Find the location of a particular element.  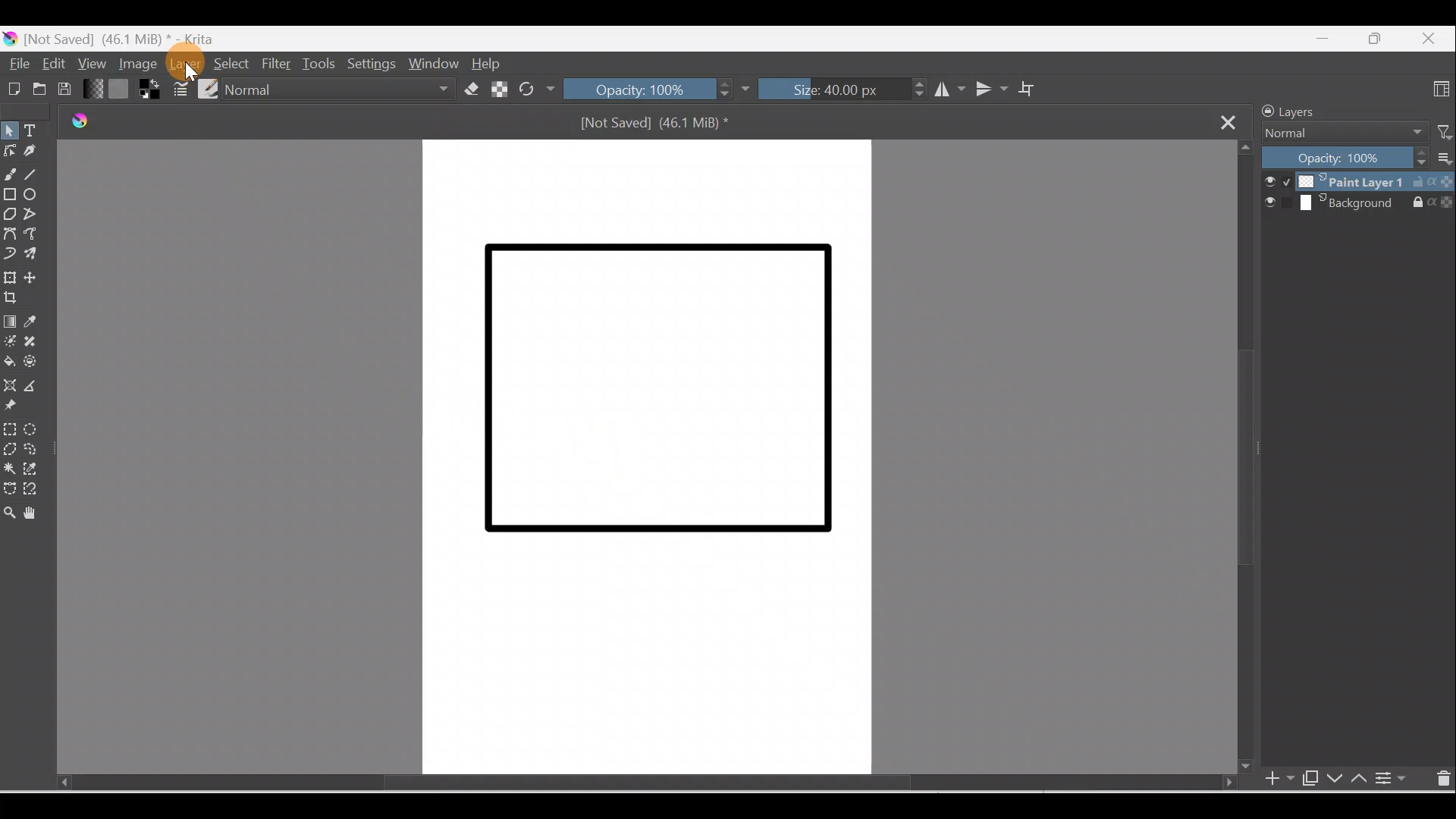

Ellipse tool is located at coordinates (37, 196).